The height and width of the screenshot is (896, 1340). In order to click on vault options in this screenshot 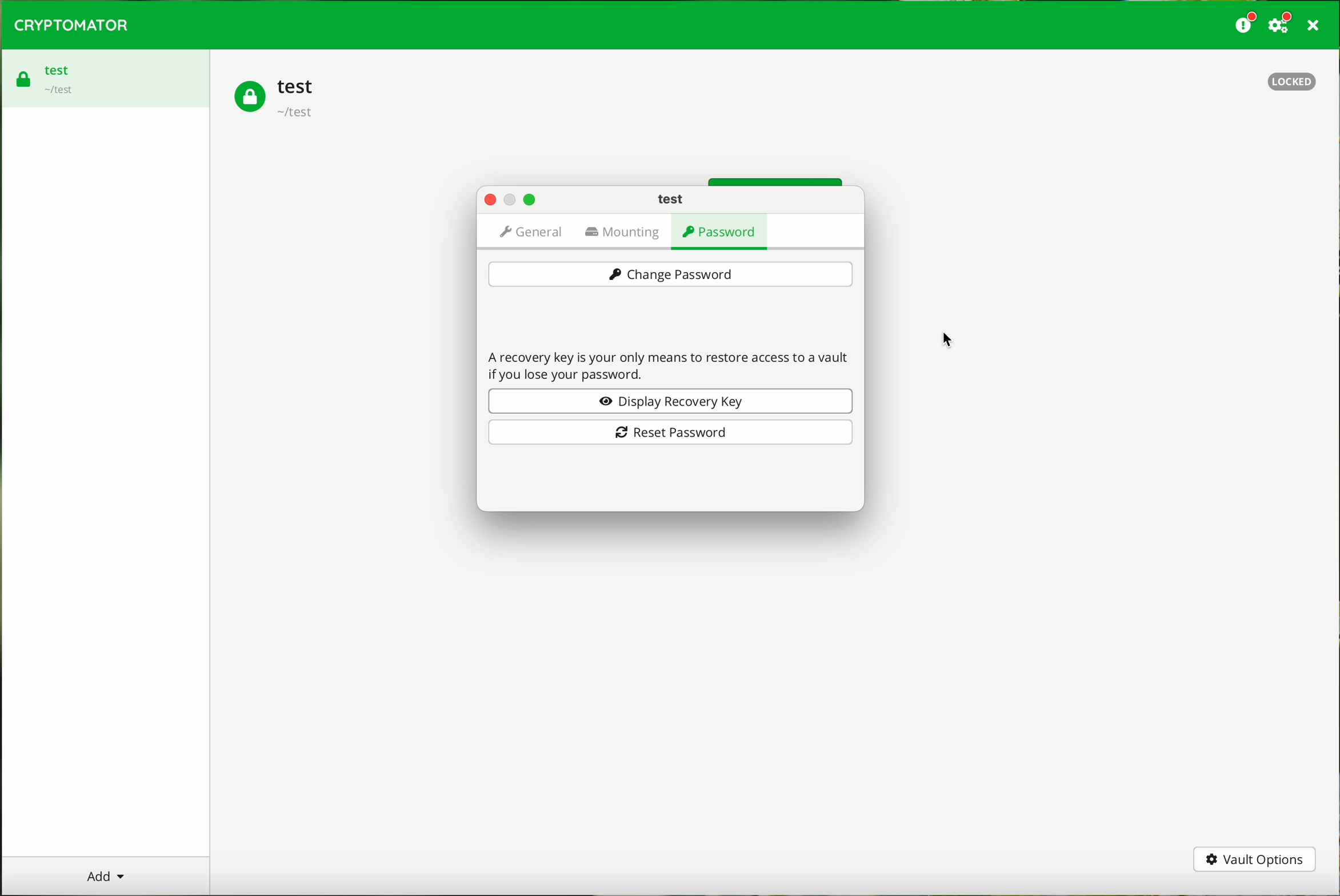, I will do `click(1255, 859)`.